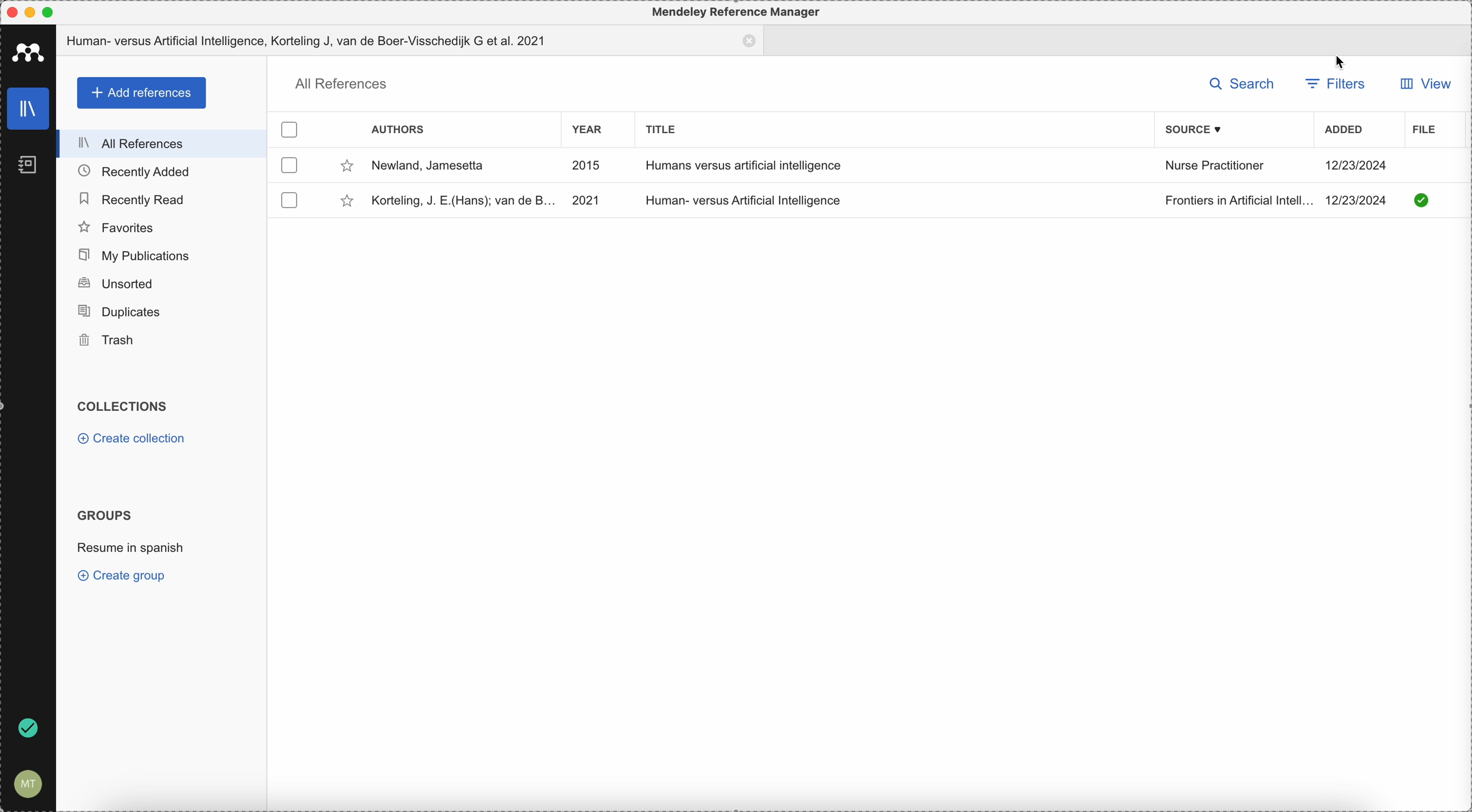 This screenshot has height=812, width=1472. Describe the element at coordinates (587, 130) in the screenshot. I see `year` at that location.